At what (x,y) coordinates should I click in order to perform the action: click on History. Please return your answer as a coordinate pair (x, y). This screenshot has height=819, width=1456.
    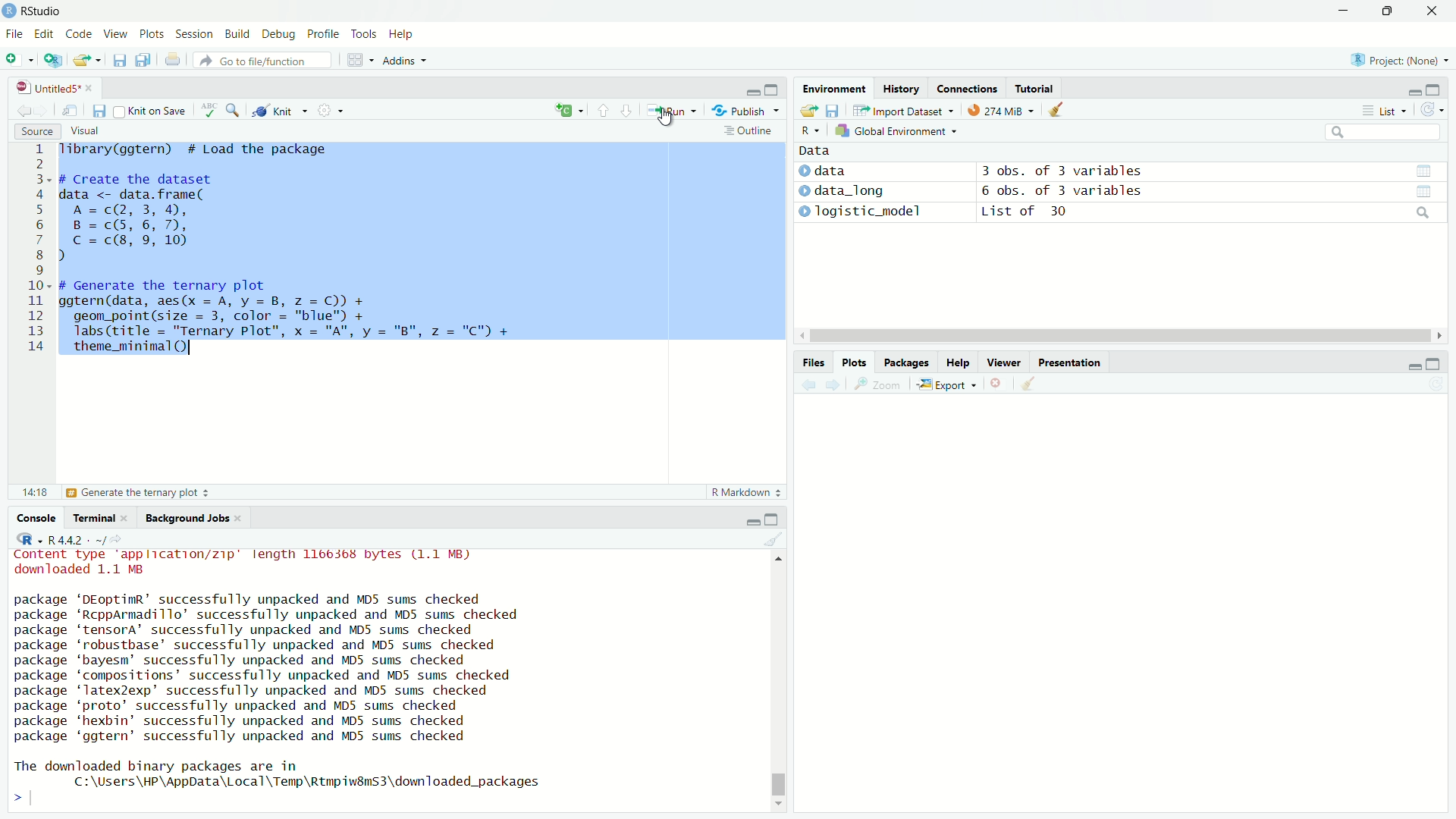
    Looking at the image, I should click on (900, 89).